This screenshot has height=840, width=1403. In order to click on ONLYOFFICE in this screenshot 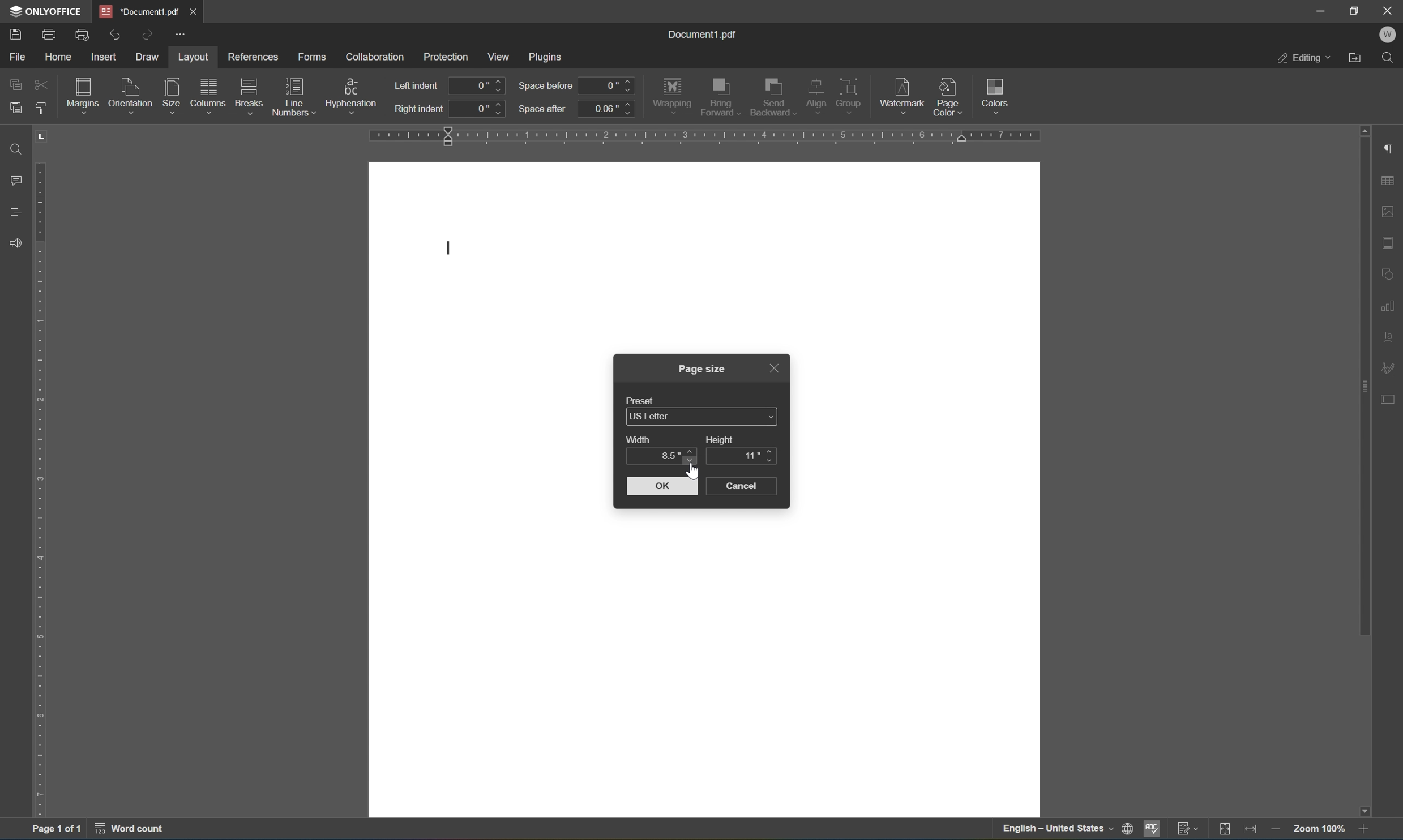, I will do `click(44, 11)`.